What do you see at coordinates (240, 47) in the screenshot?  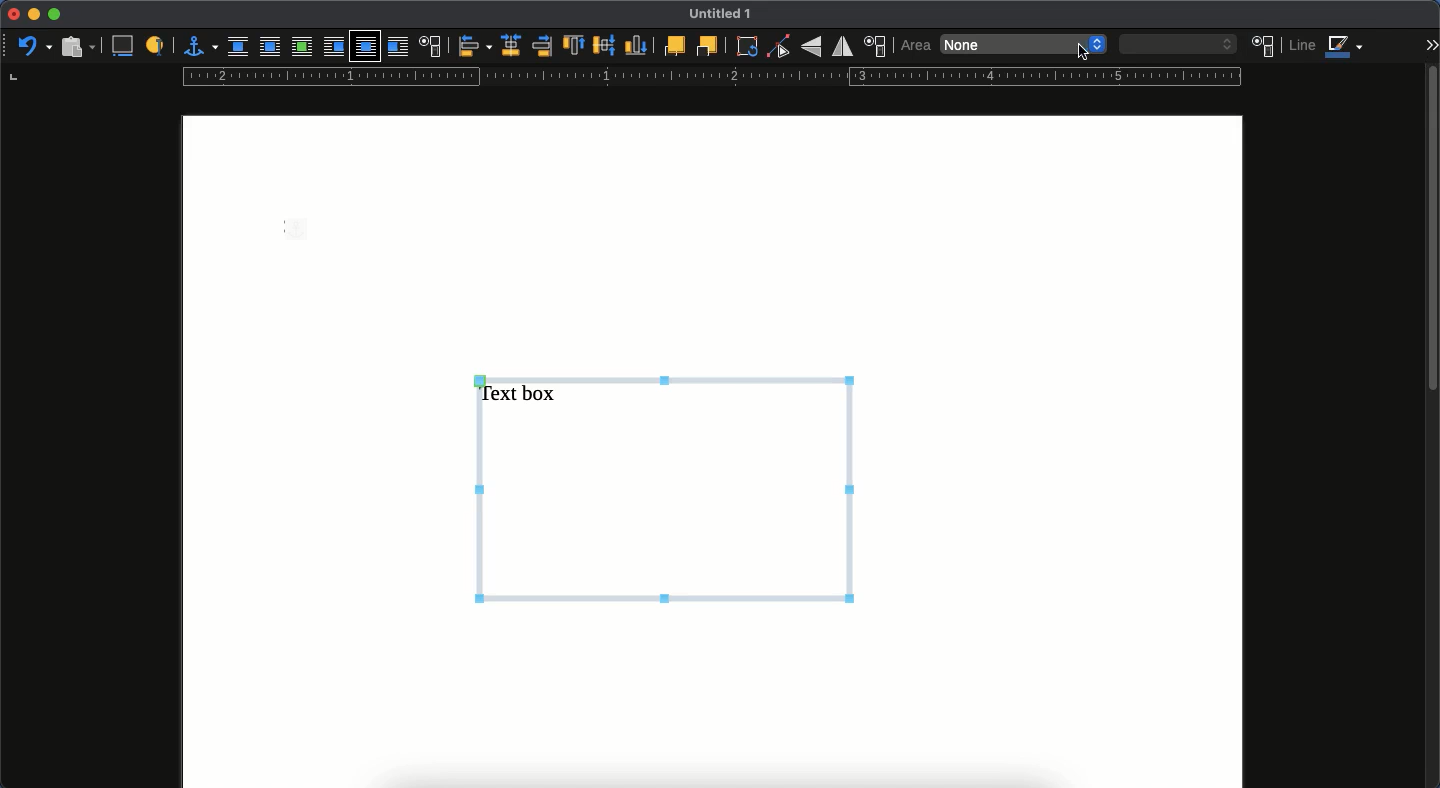 I see `none` at bounding box center [240, 47].